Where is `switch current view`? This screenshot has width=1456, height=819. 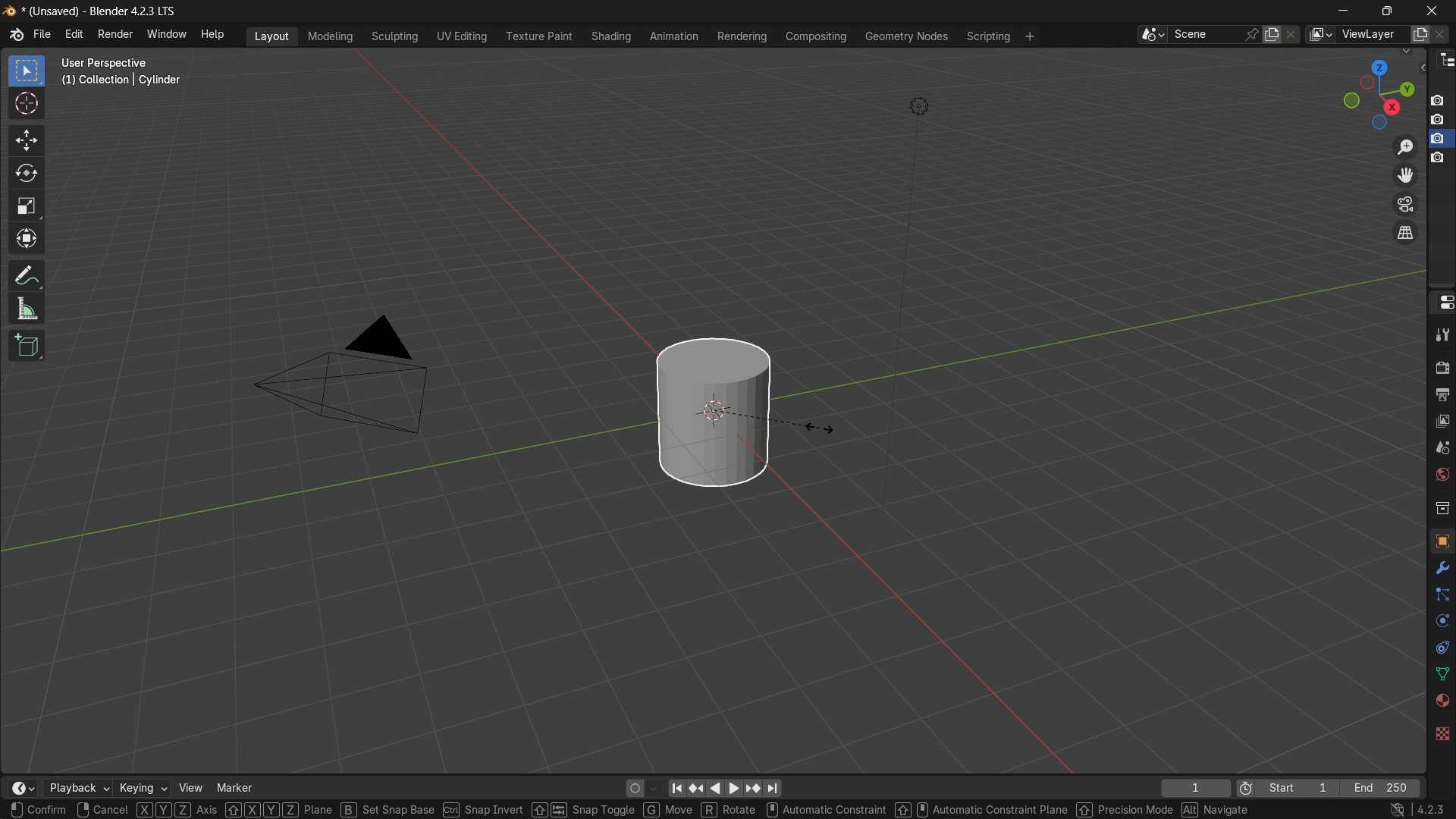 switch current view is located at coordinates (1405, 232).